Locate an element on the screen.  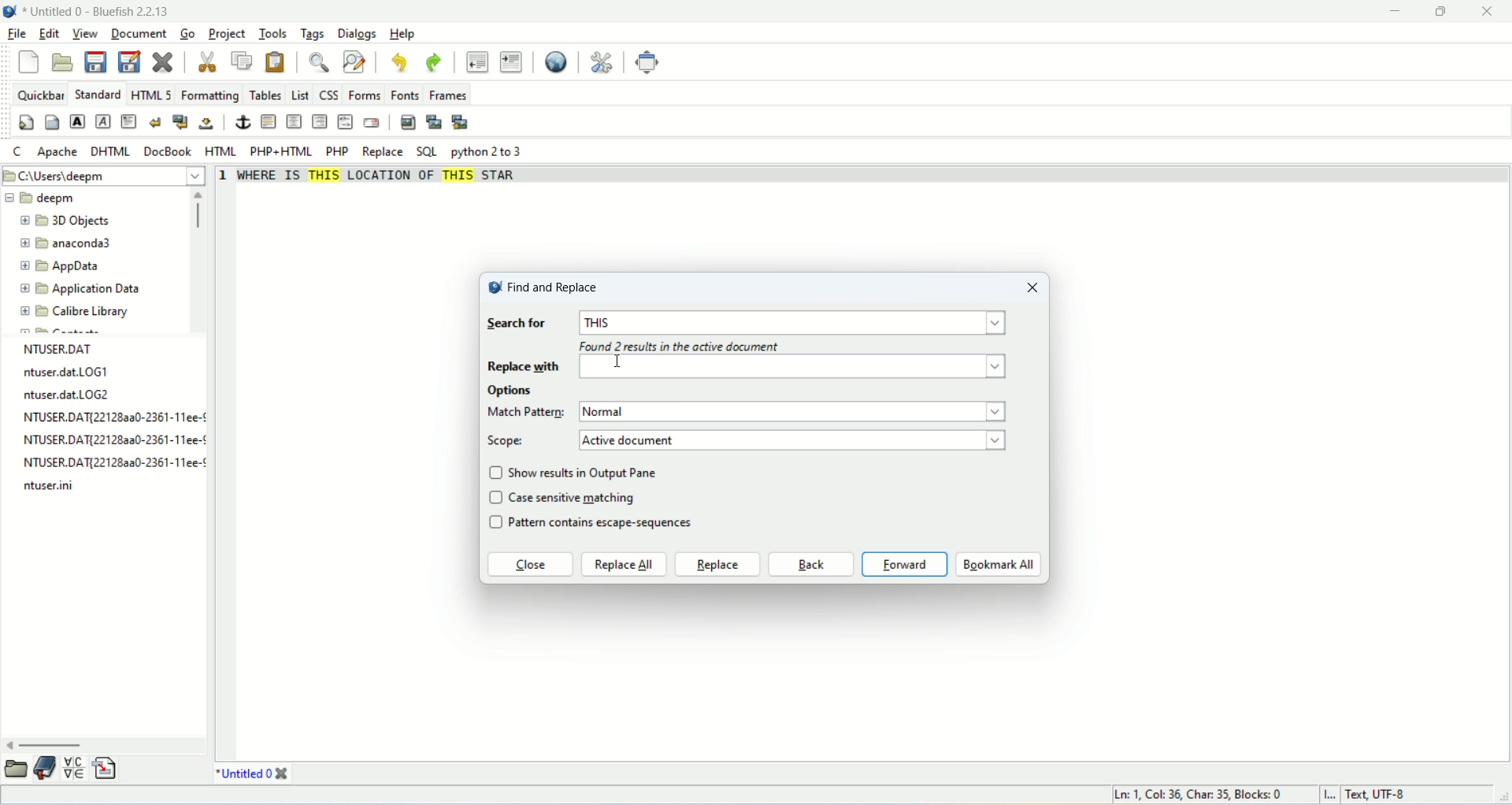
email is located at coordinates (372, 122).